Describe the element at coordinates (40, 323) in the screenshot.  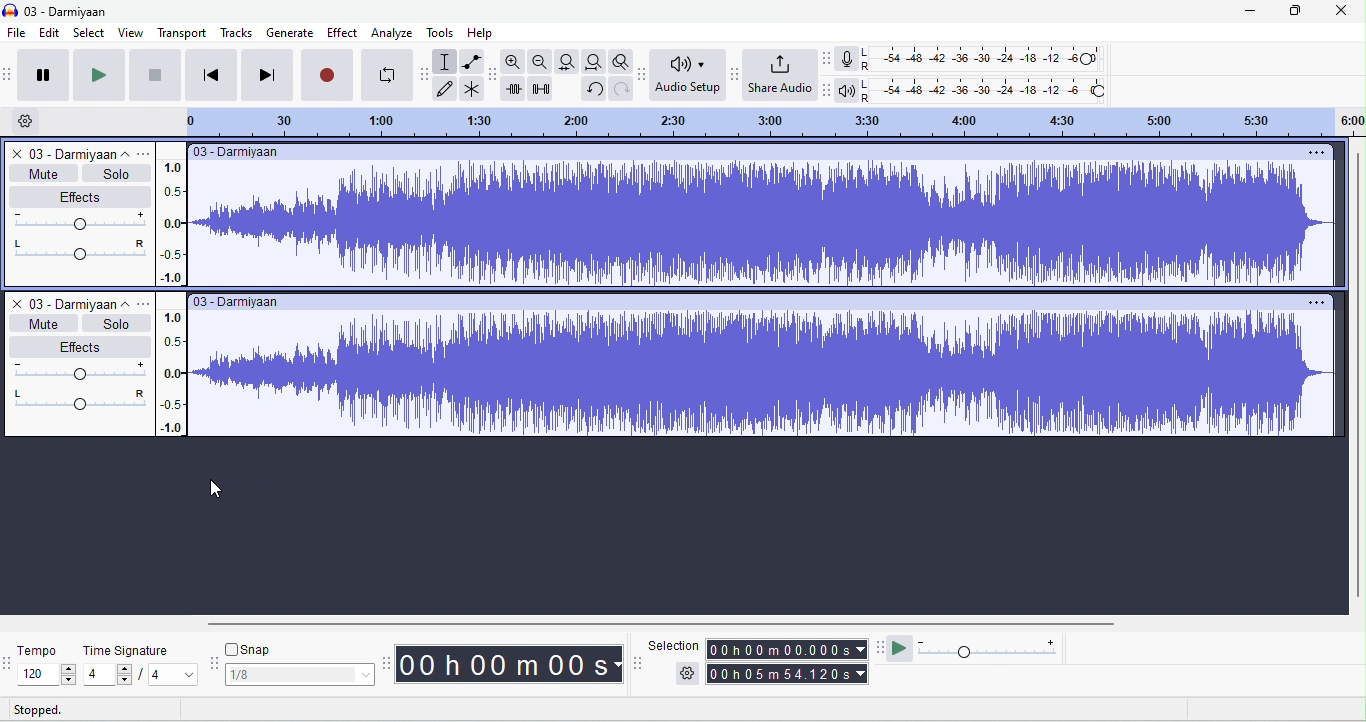
I see `mute` at that location.